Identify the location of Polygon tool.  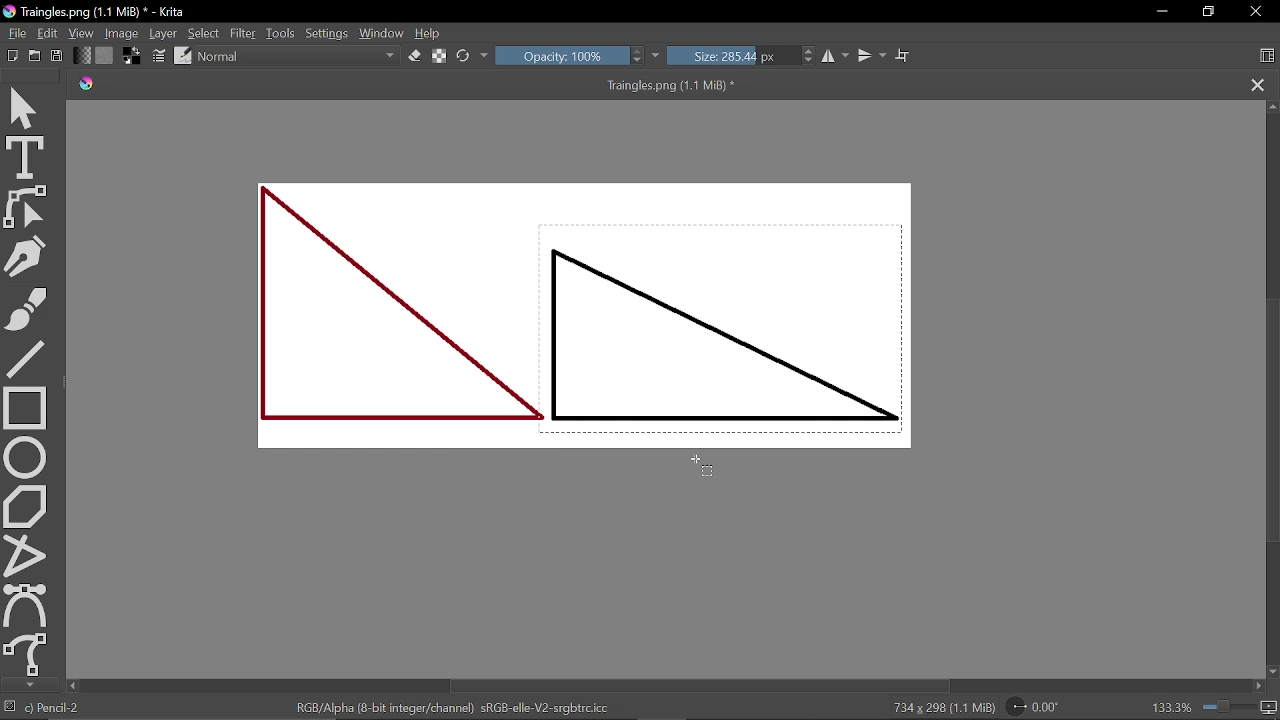
(26, 506).